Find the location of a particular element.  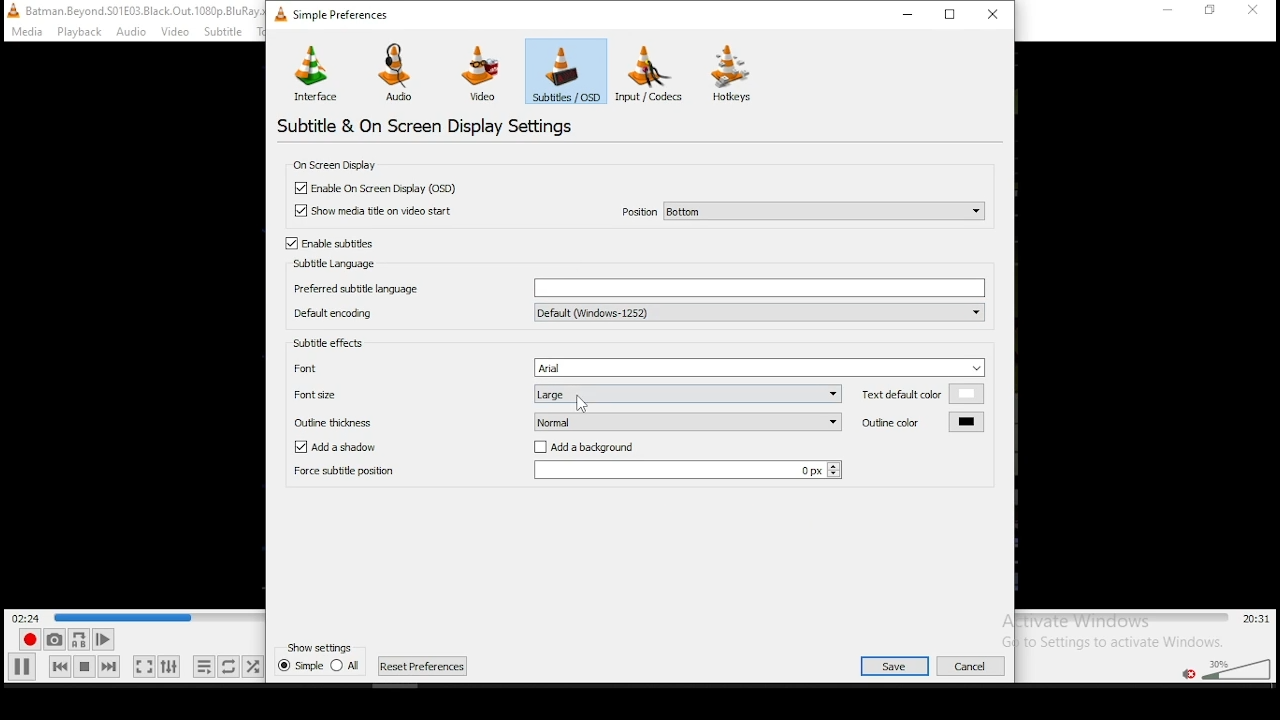

text default color is located at coordinates (923, 394).